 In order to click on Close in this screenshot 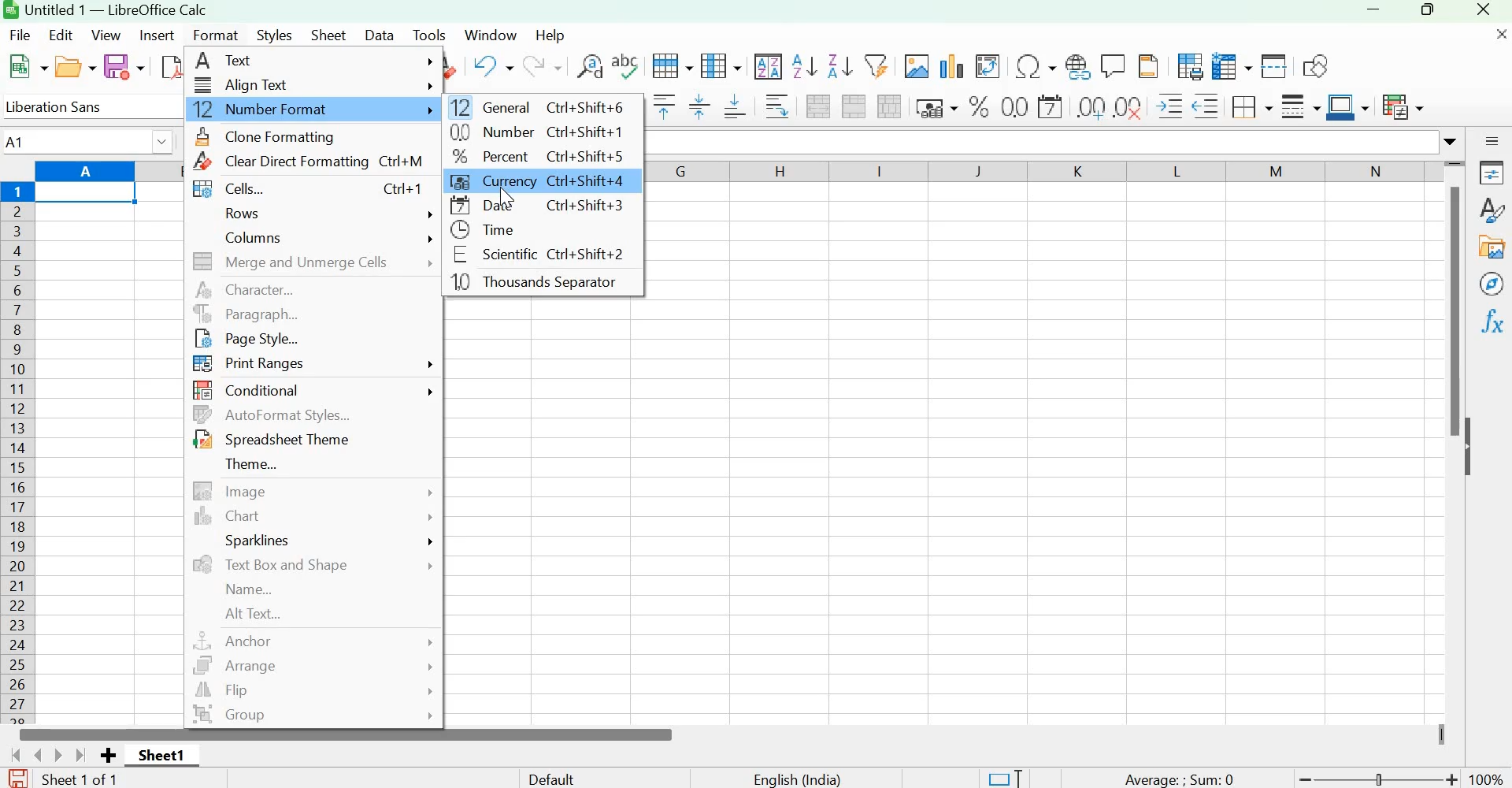, I will do `click(1486, 11)`.